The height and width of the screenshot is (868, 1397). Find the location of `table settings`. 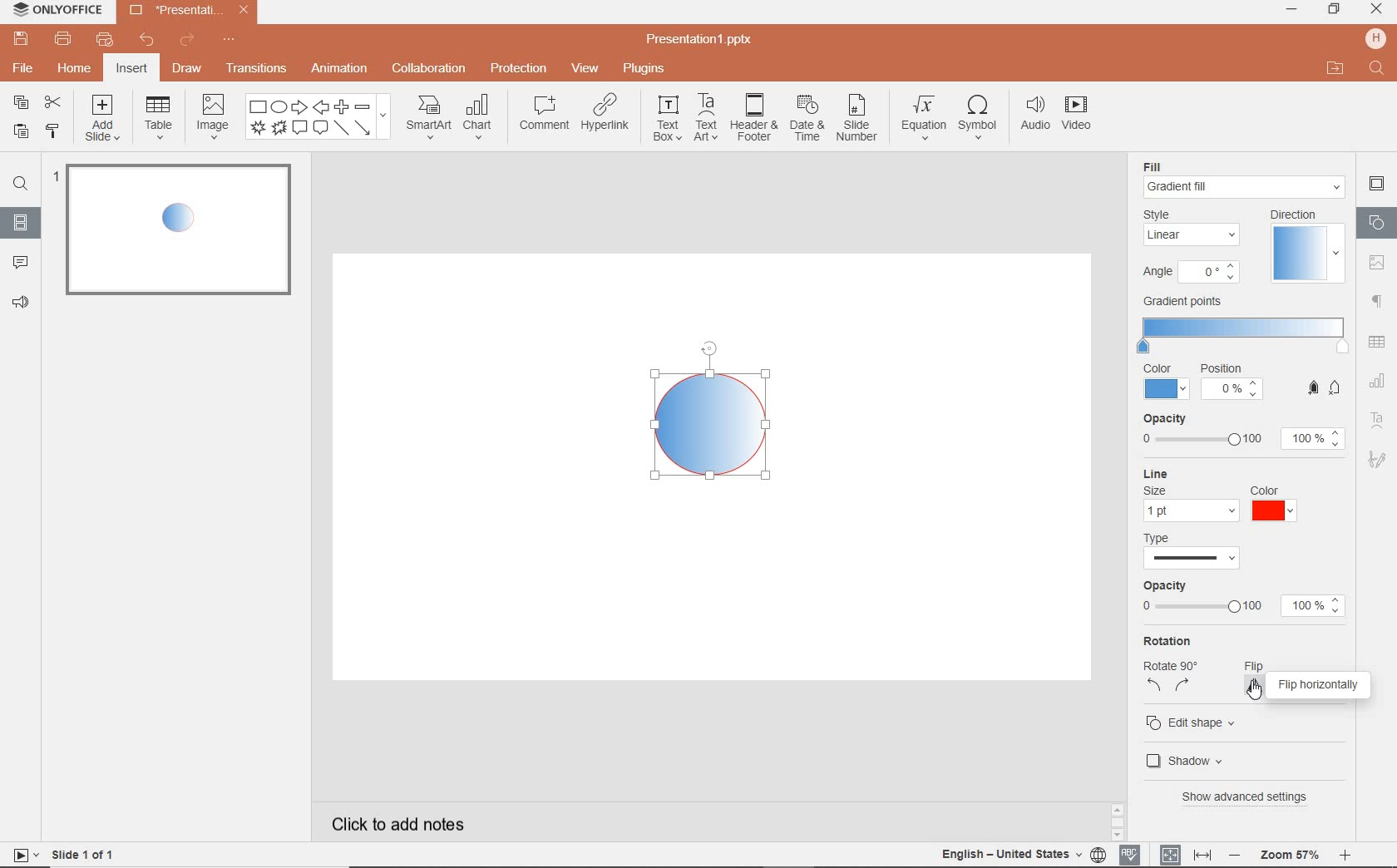

table settings is located at coordinates (1379, 341).